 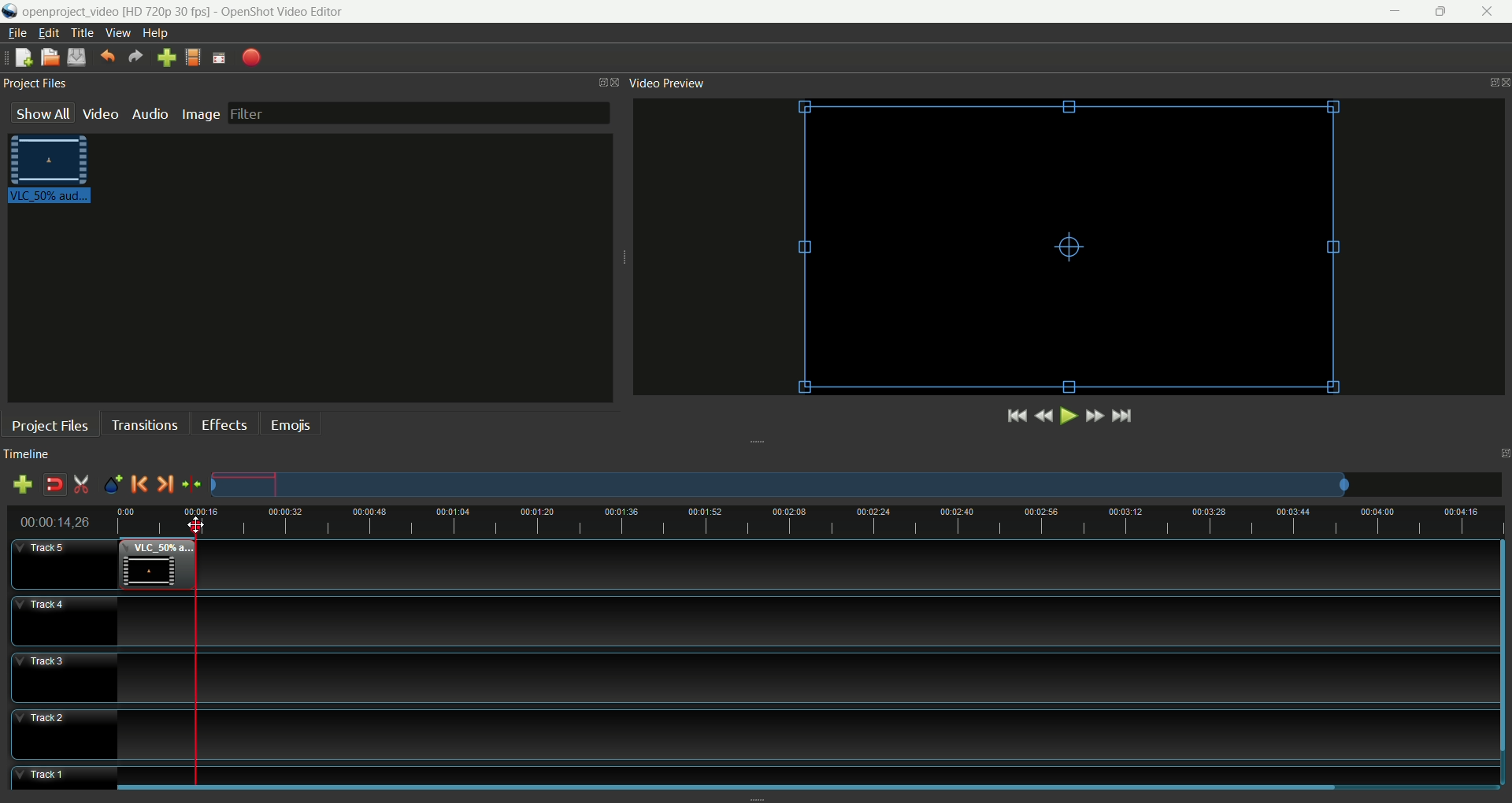 I want to click on minimize, so click(x=1392, y=12).